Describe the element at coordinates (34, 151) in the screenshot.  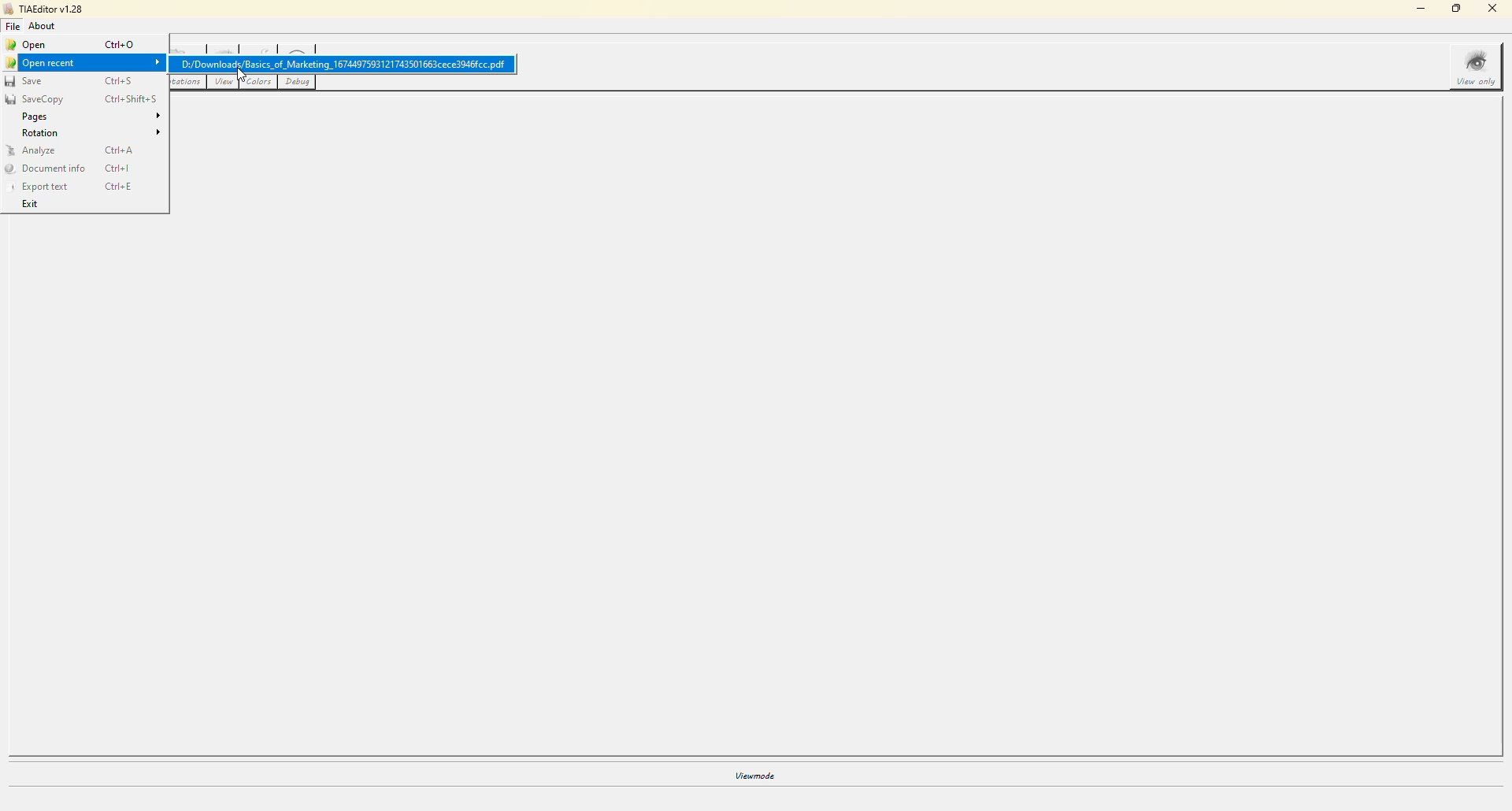
I see `analyze` at that location.